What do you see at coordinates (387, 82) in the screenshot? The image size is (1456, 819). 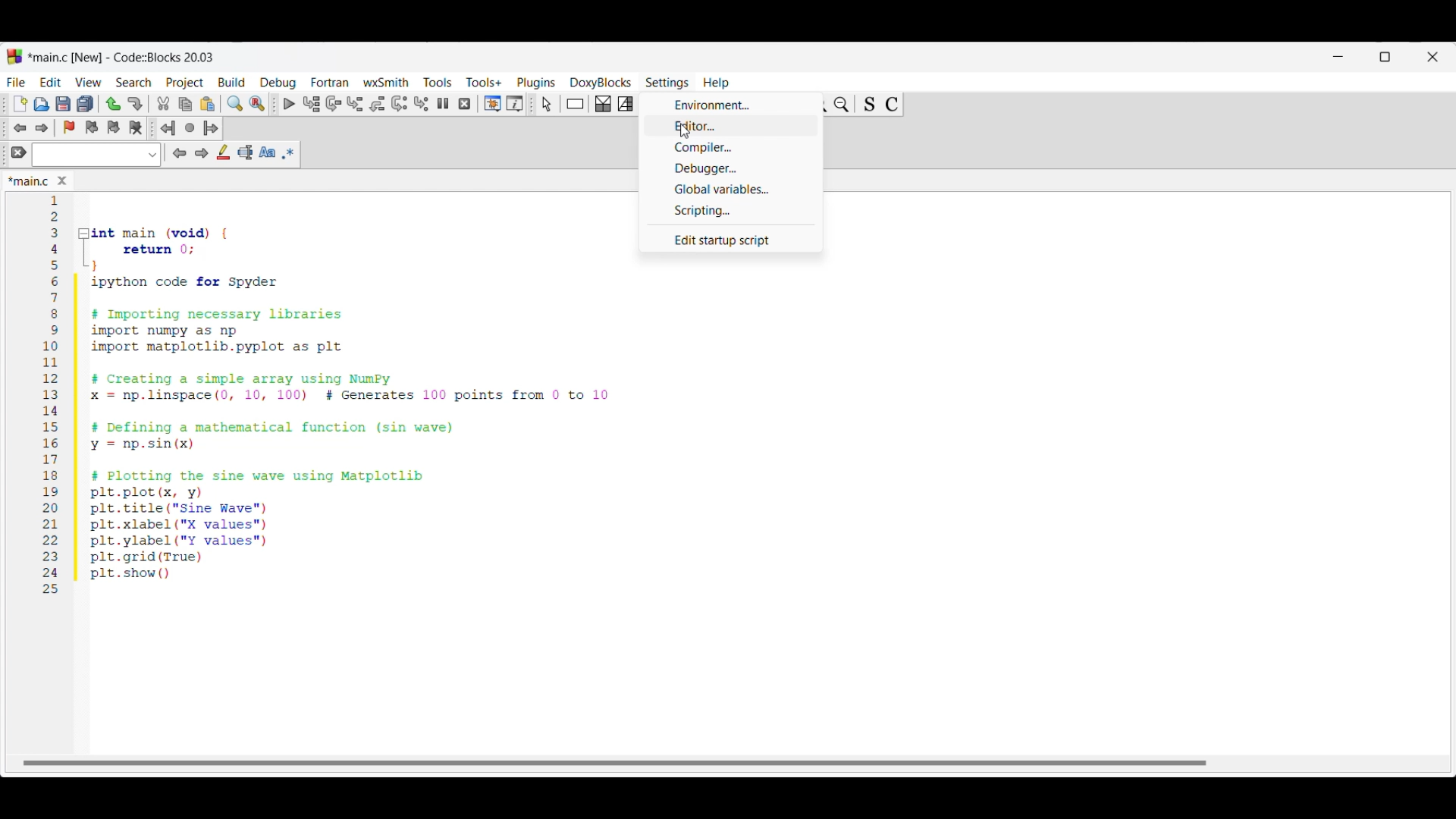 I see `wxSmith menu` at bounding box center [387, 82].